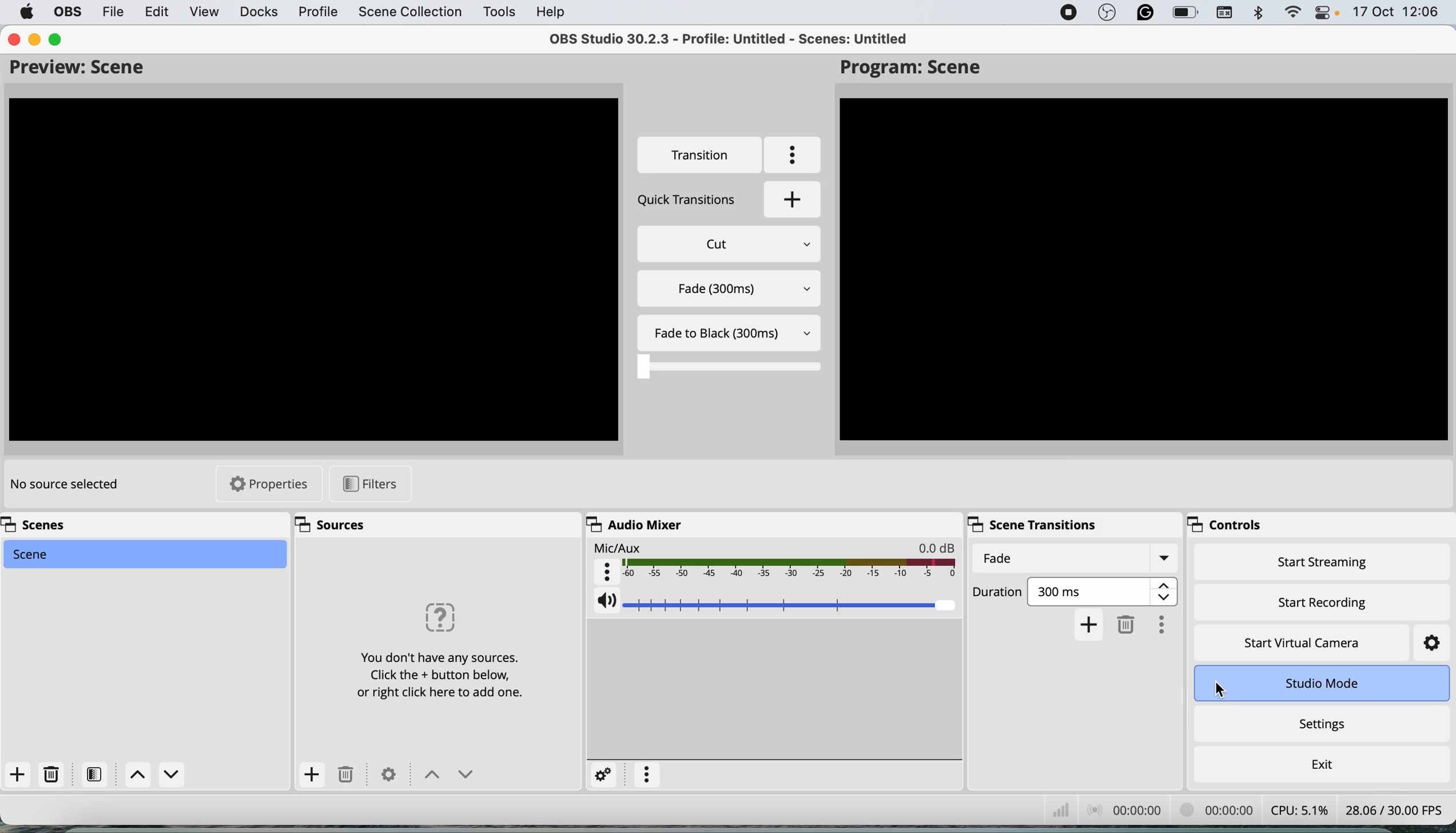  I want to click on screen recorder, so click(1068, 12).